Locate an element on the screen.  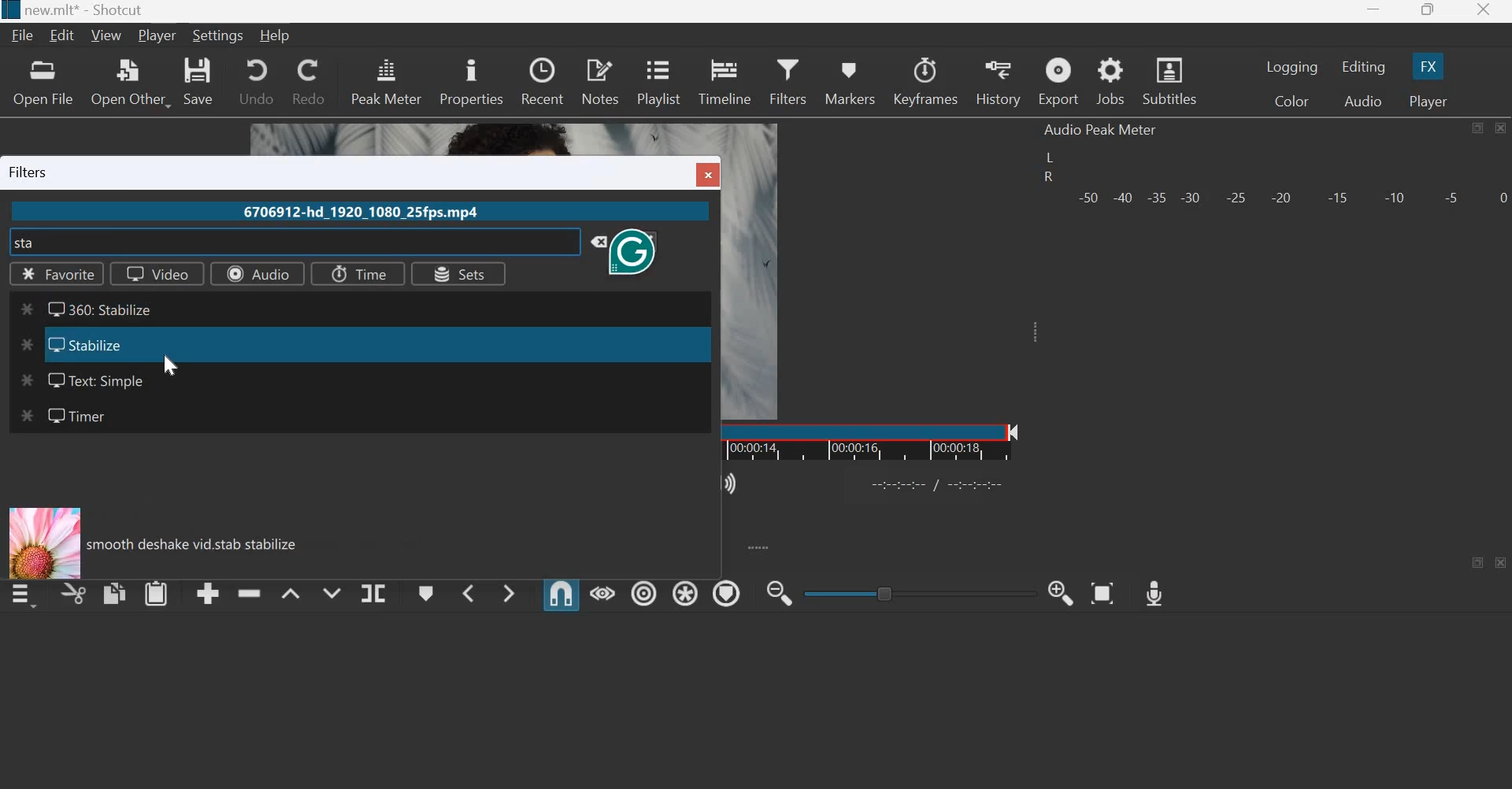
cursor is located at coordinates (173, 365).